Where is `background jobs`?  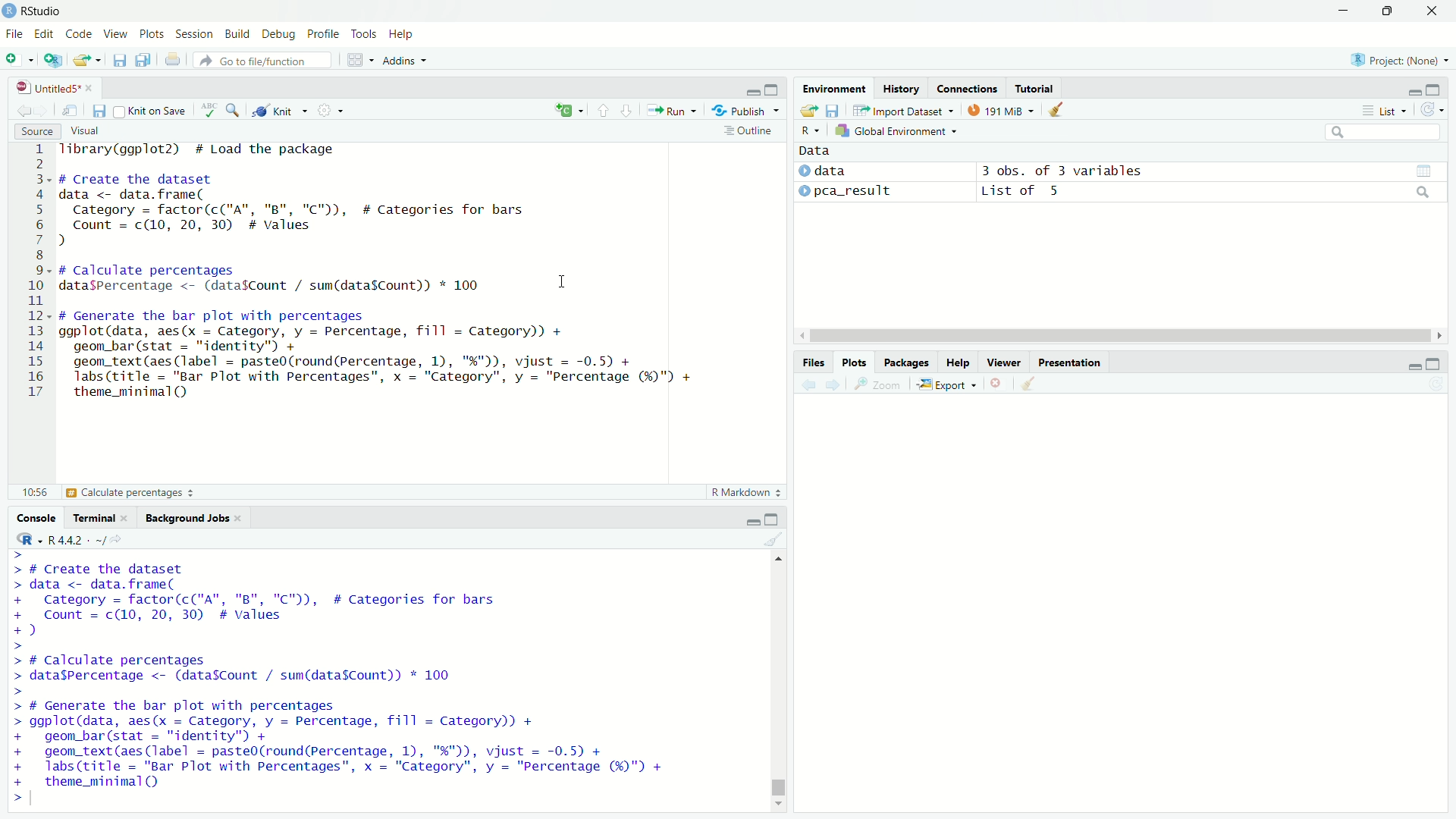
background jobs is located at coordinates (192, 518).